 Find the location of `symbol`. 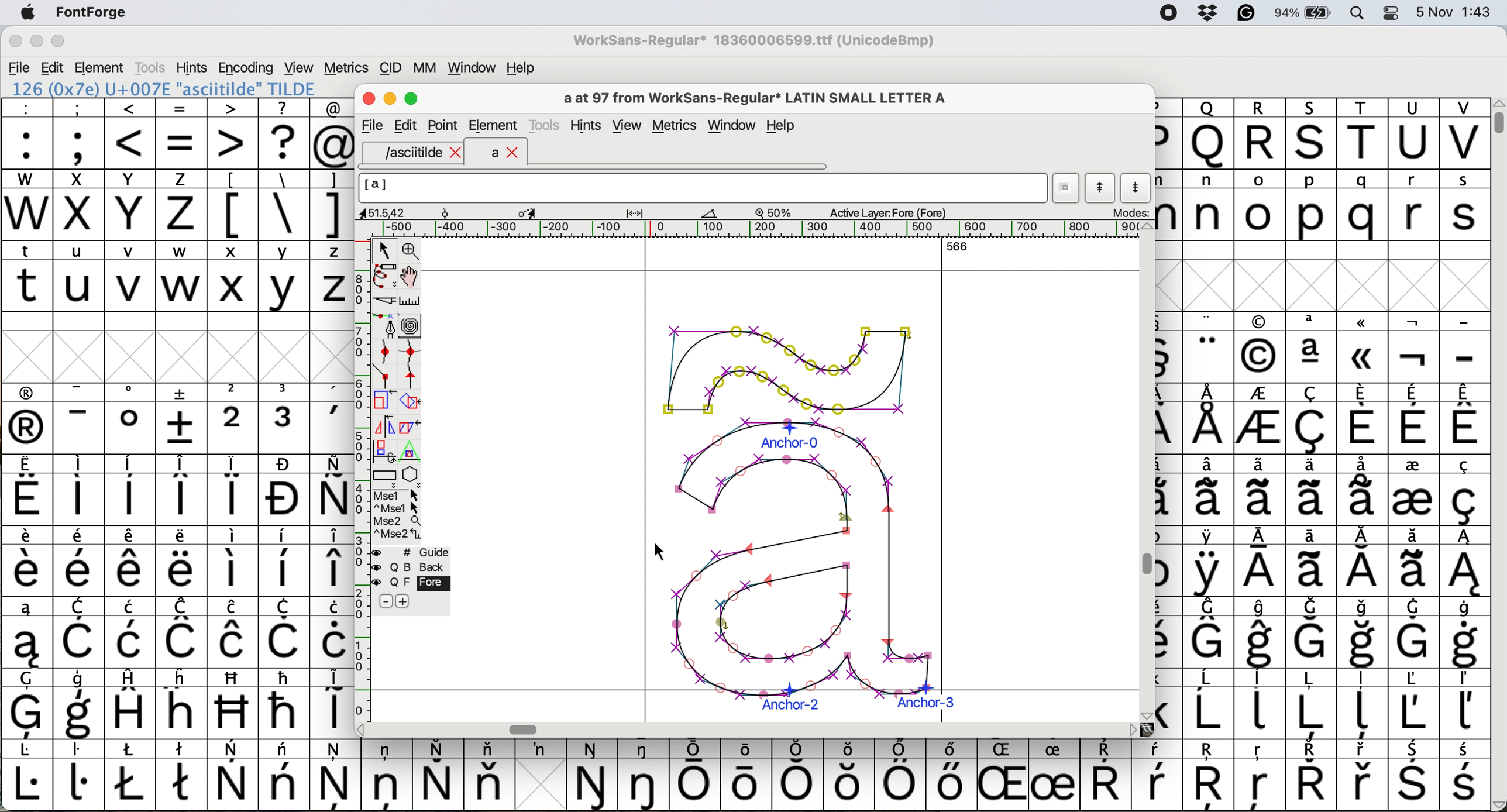

symbol is located at coordinates (284, 703).